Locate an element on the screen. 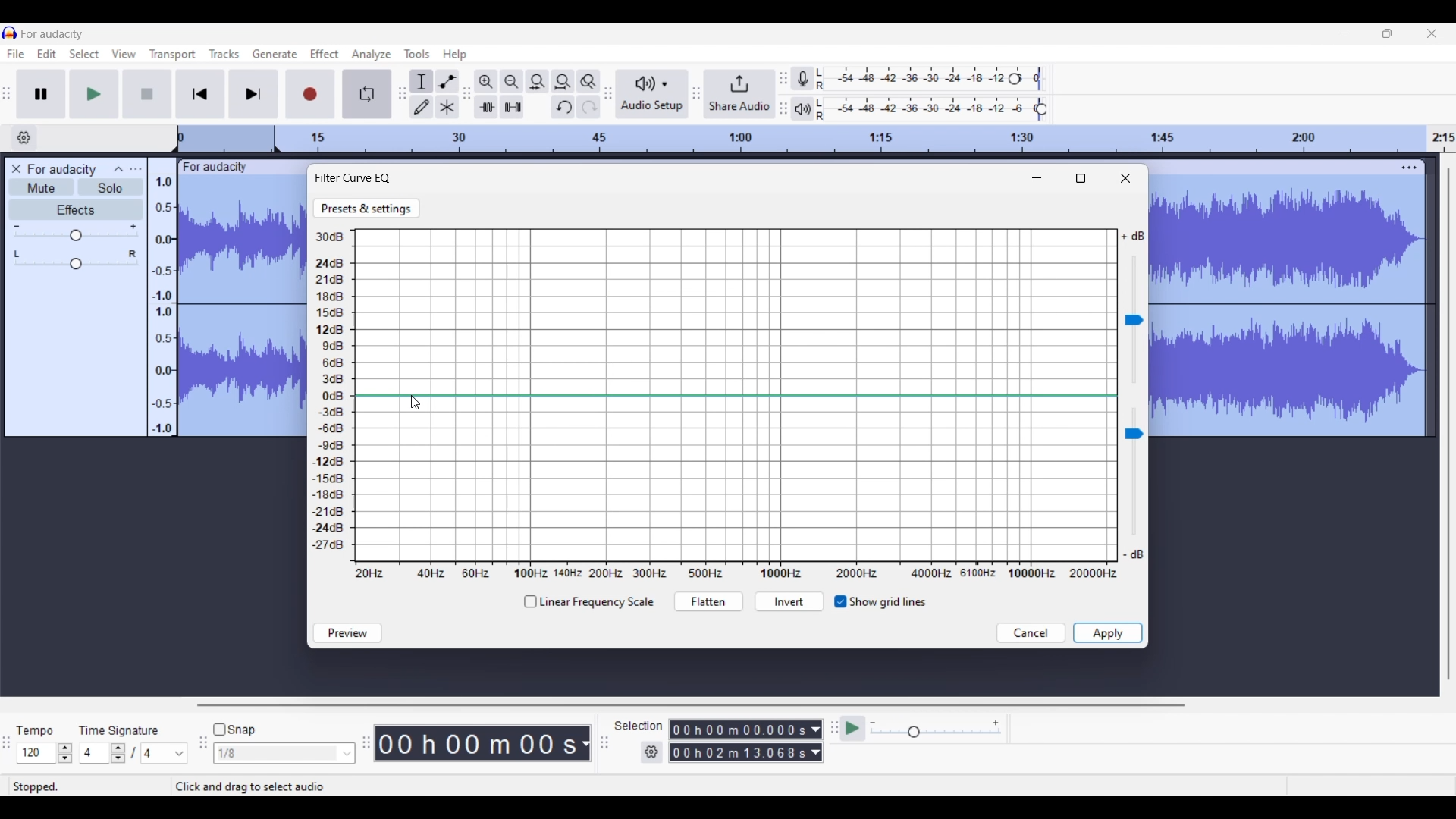 The image size is (1456, 819). Header space  is located at coordinates (226, 140).